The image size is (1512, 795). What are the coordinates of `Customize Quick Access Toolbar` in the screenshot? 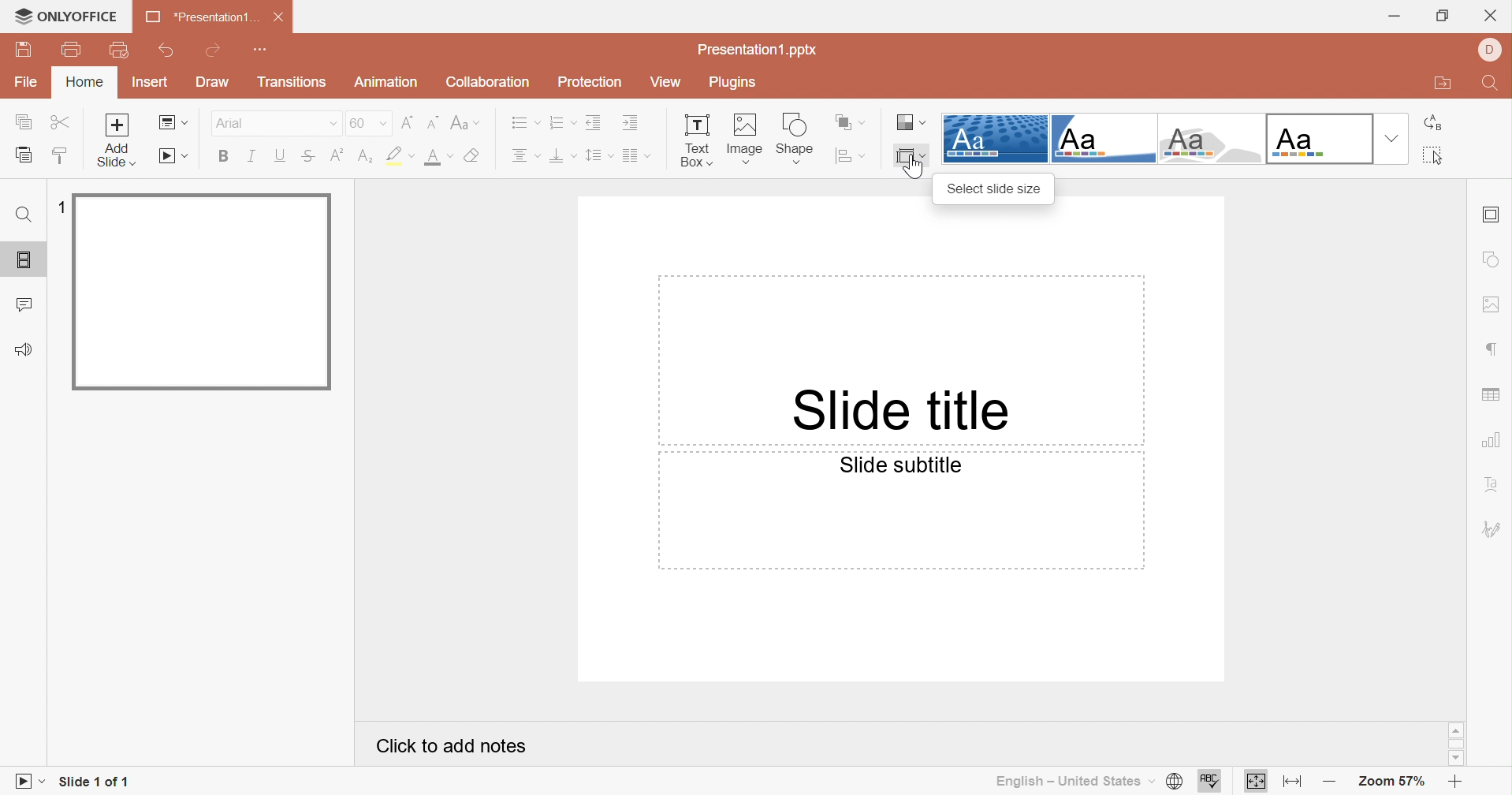 It's located at (263, 49).